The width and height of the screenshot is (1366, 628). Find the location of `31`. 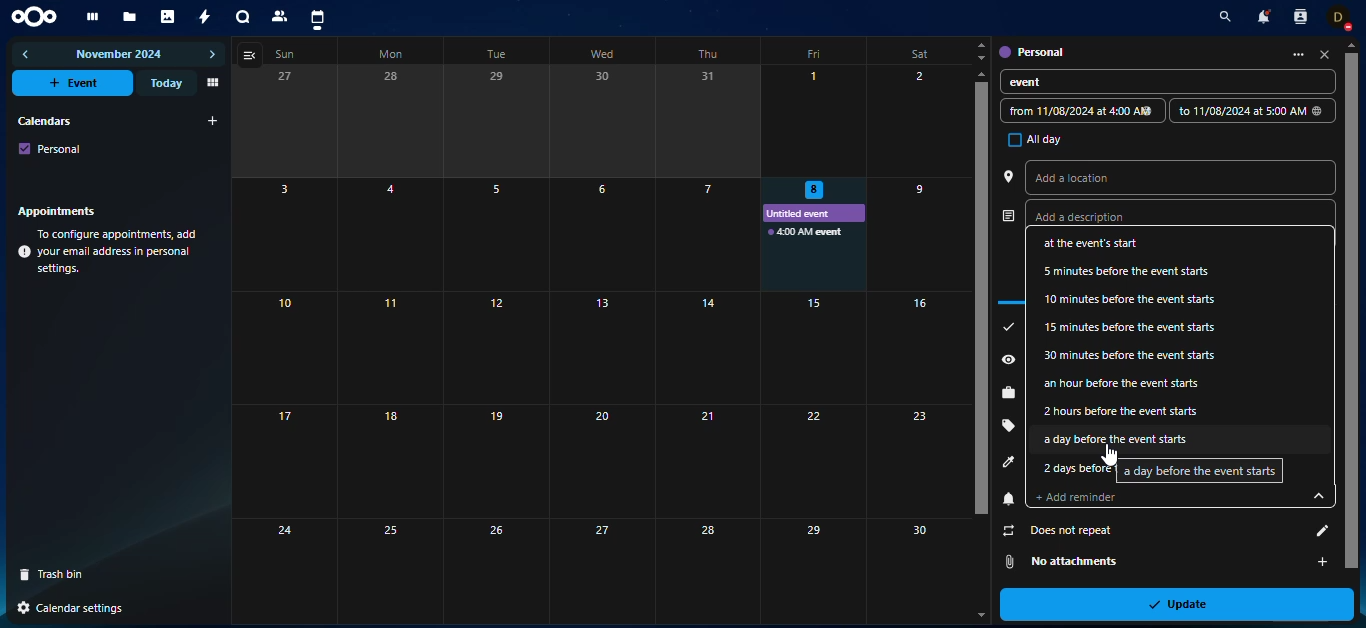

31 is located at coordinates (709, 121).